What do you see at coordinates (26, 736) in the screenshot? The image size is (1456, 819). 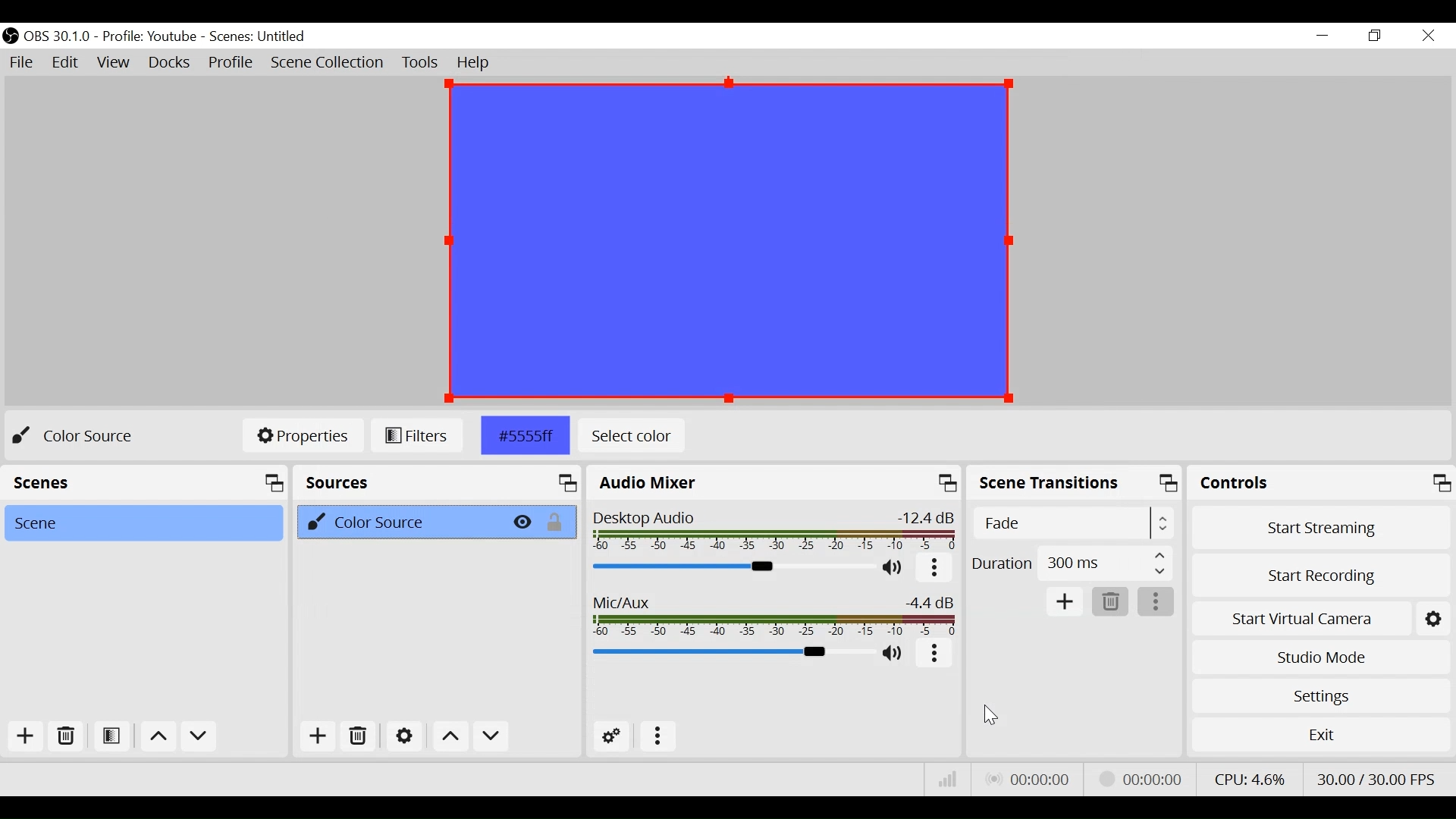 I see `Add` at bounding box center [26, 736].